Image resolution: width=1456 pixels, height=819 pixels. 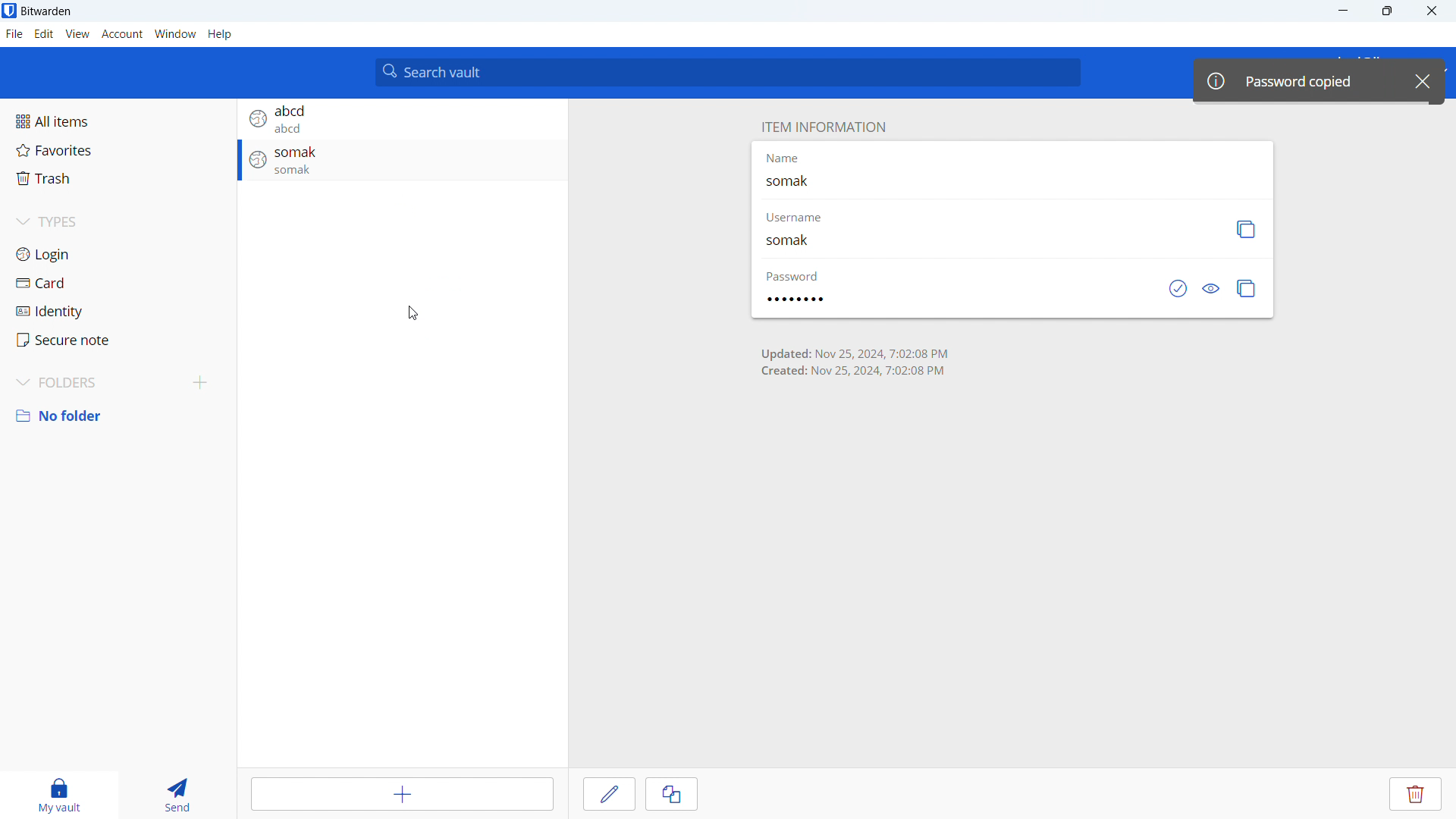 What do you see at coordinates (432, 306) in the screenshot?
I see `copy password` at bounding box center [432, 306].